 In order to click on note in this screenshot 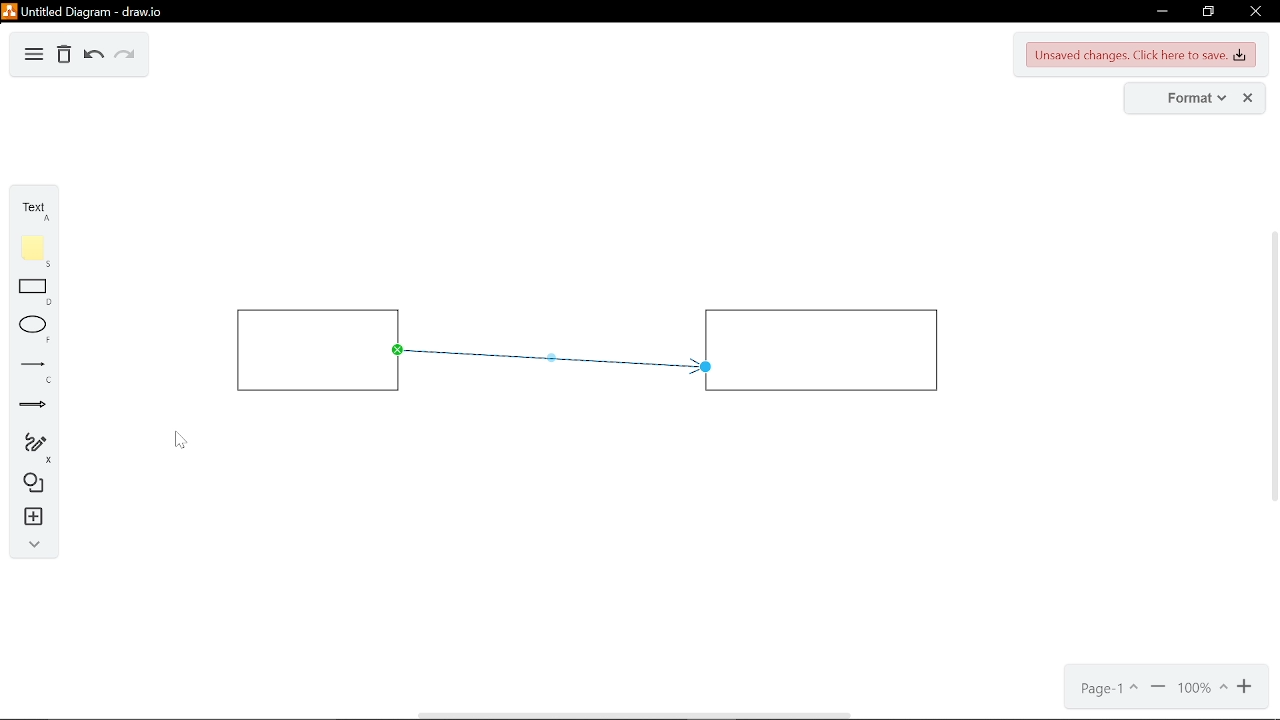, I will do `click(32, 250)`.